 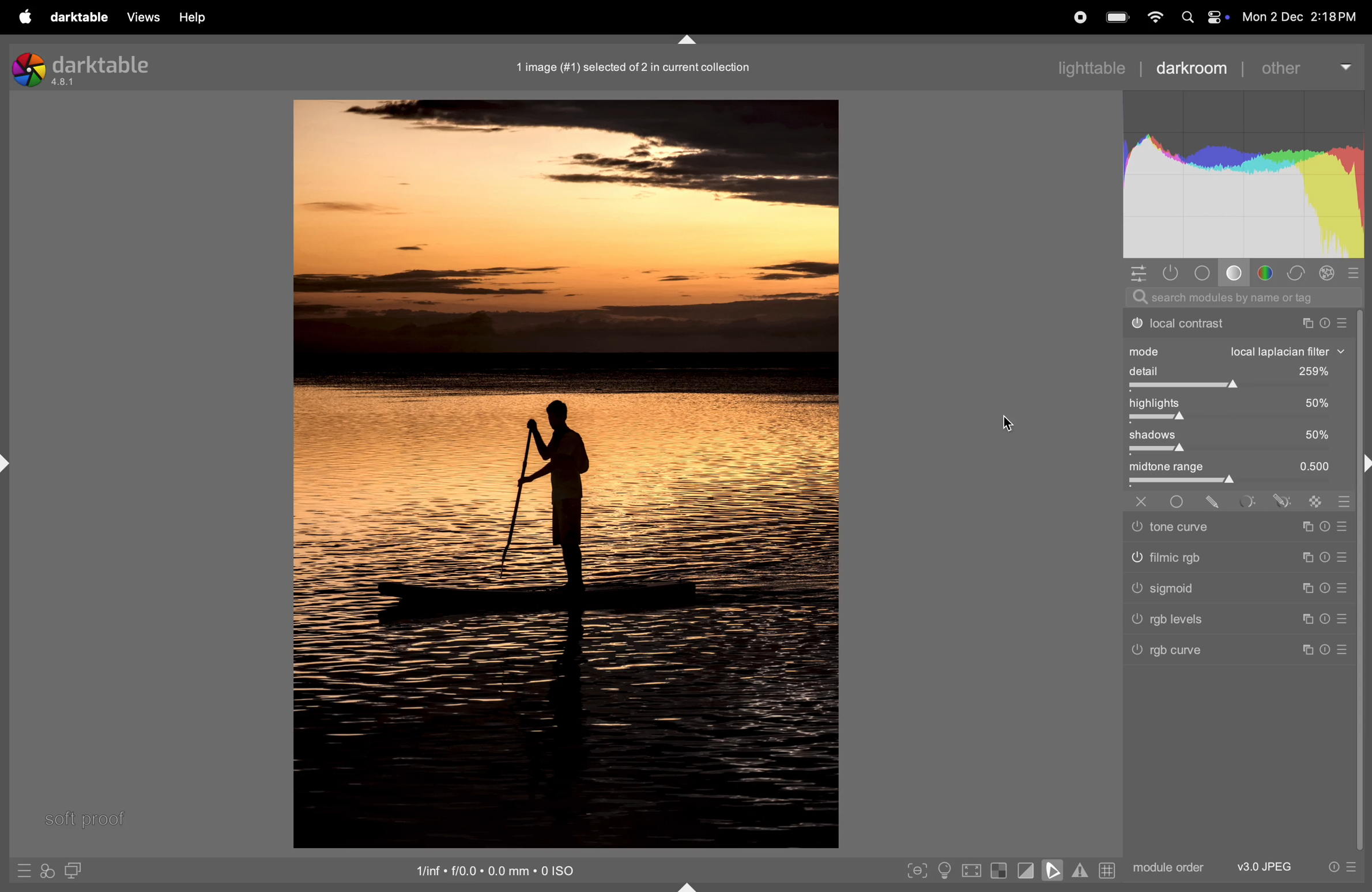 I want to click on sign, so click(x=1250, y=502).